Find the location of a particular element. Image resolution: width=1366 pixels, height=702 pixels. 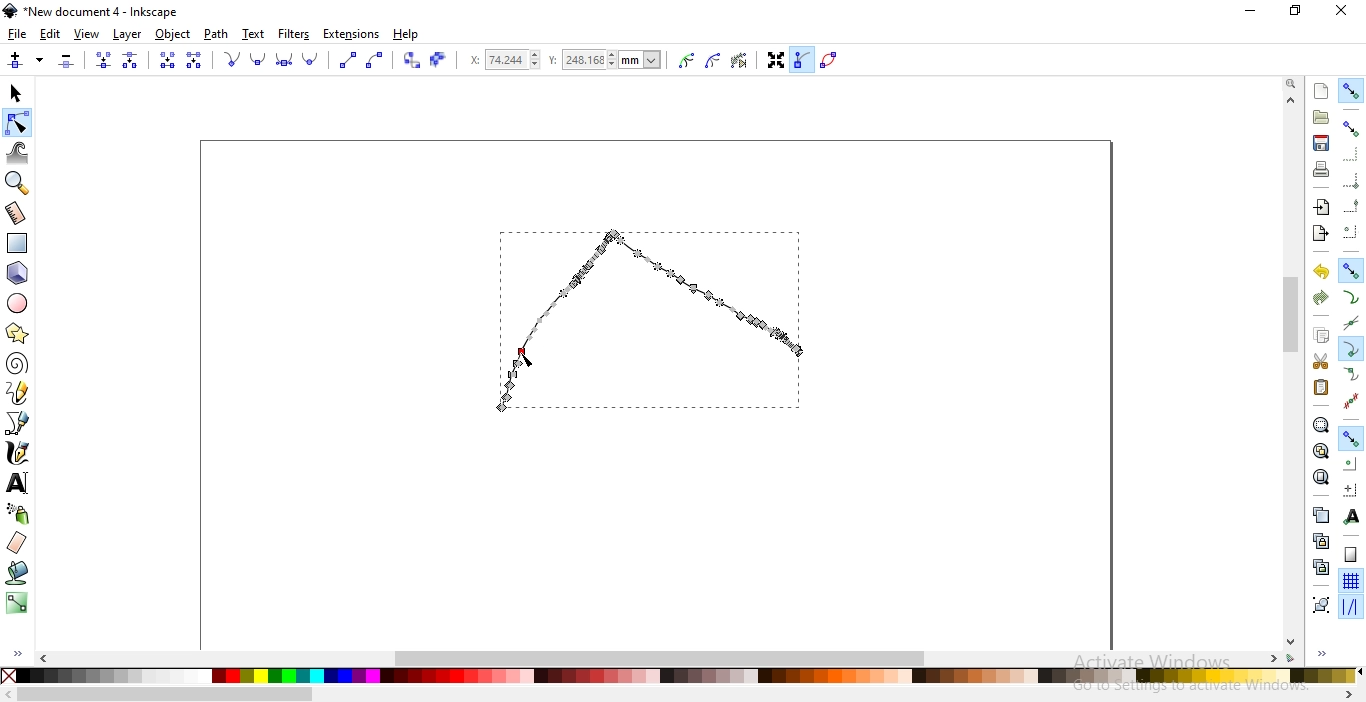

spray objects by scuplting or painting is located at coordinates (19, 513).